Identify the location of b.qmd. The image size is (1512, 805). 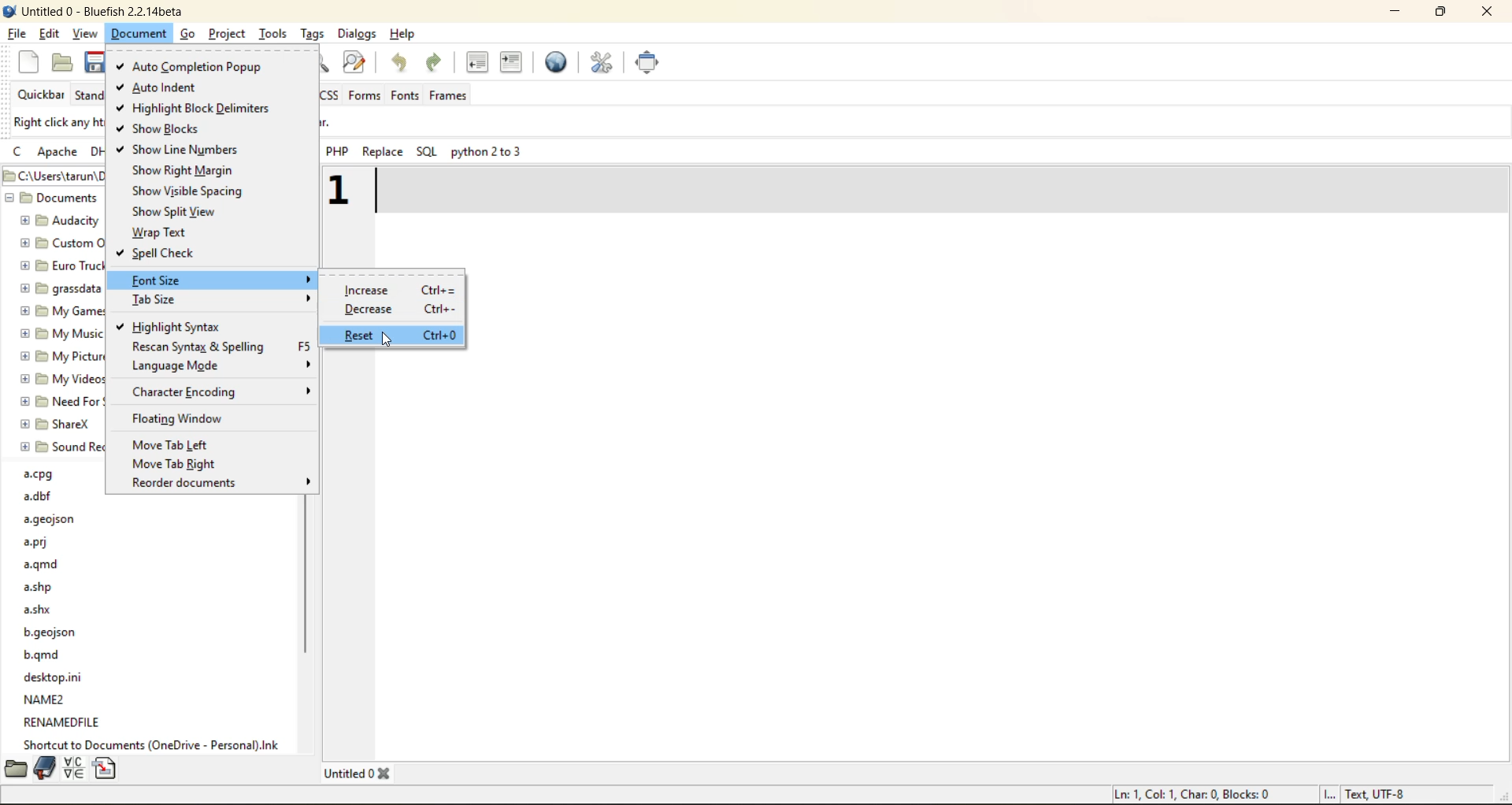
(45, 655).